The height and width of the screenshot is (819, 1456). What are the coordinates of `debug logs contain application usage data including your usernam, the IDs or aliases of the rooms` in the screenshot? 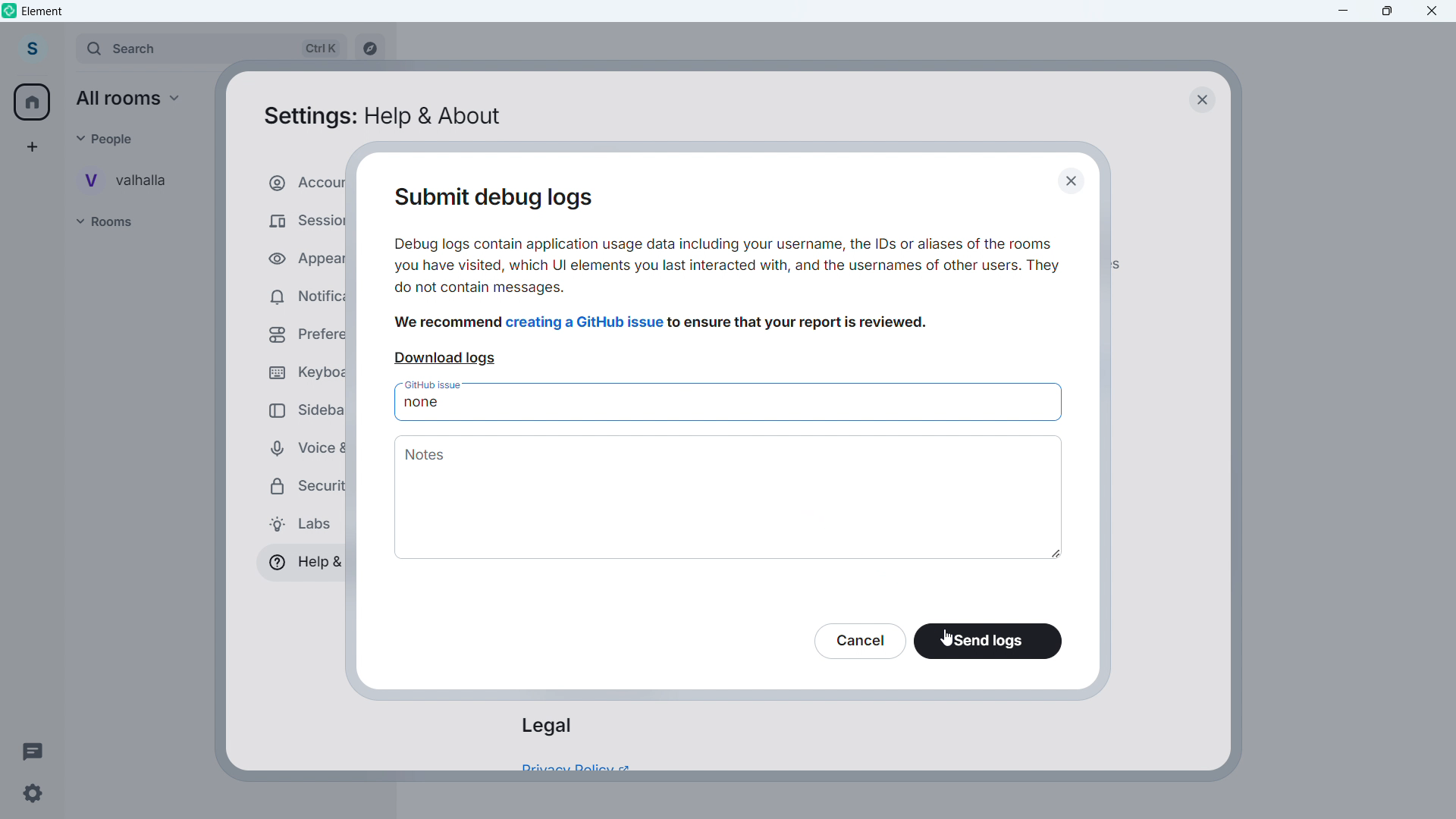 It's located at (726, 244).